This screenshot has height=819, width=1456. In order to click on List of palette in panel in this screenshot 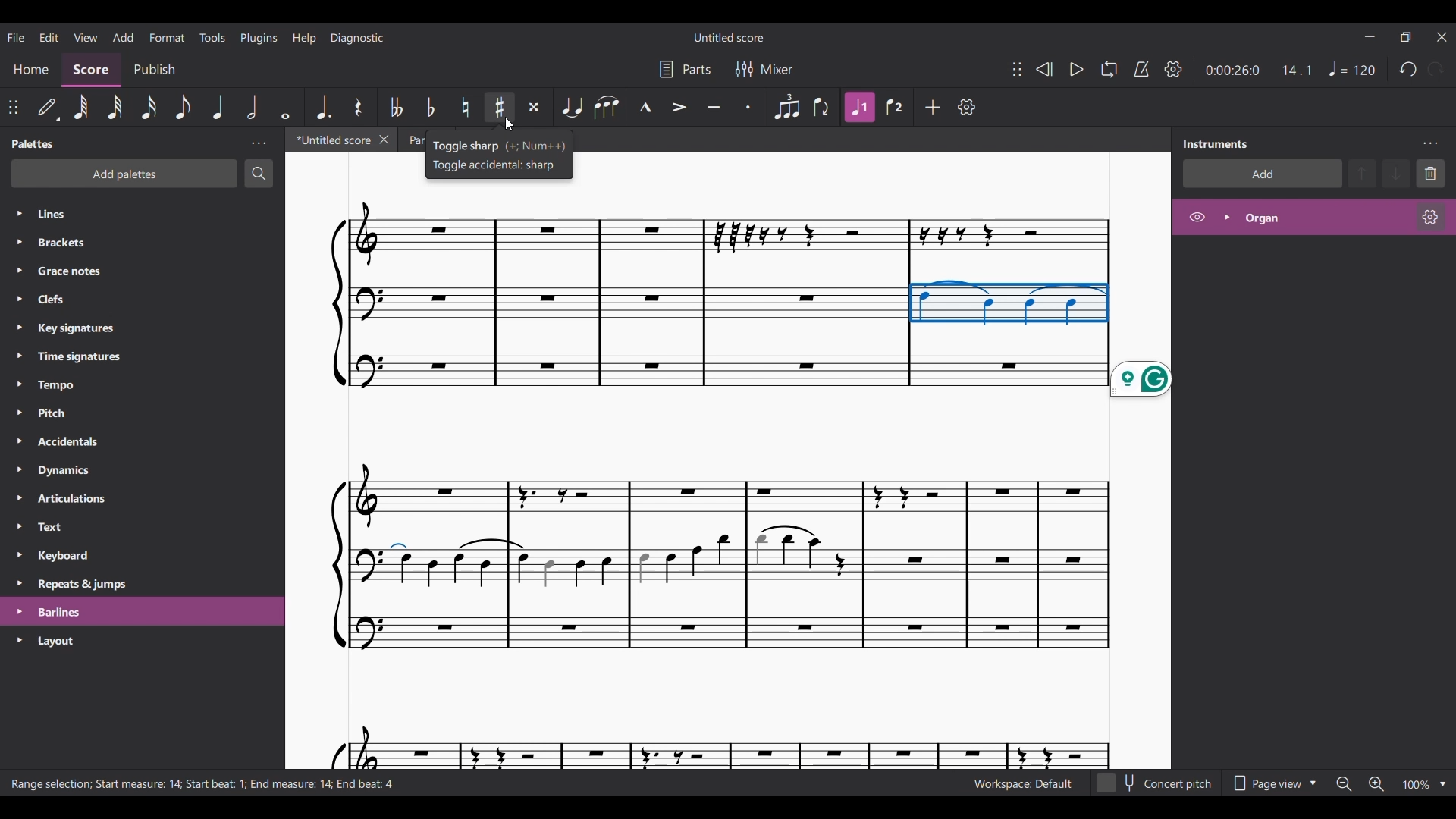, I will do `click(158, 397)`.